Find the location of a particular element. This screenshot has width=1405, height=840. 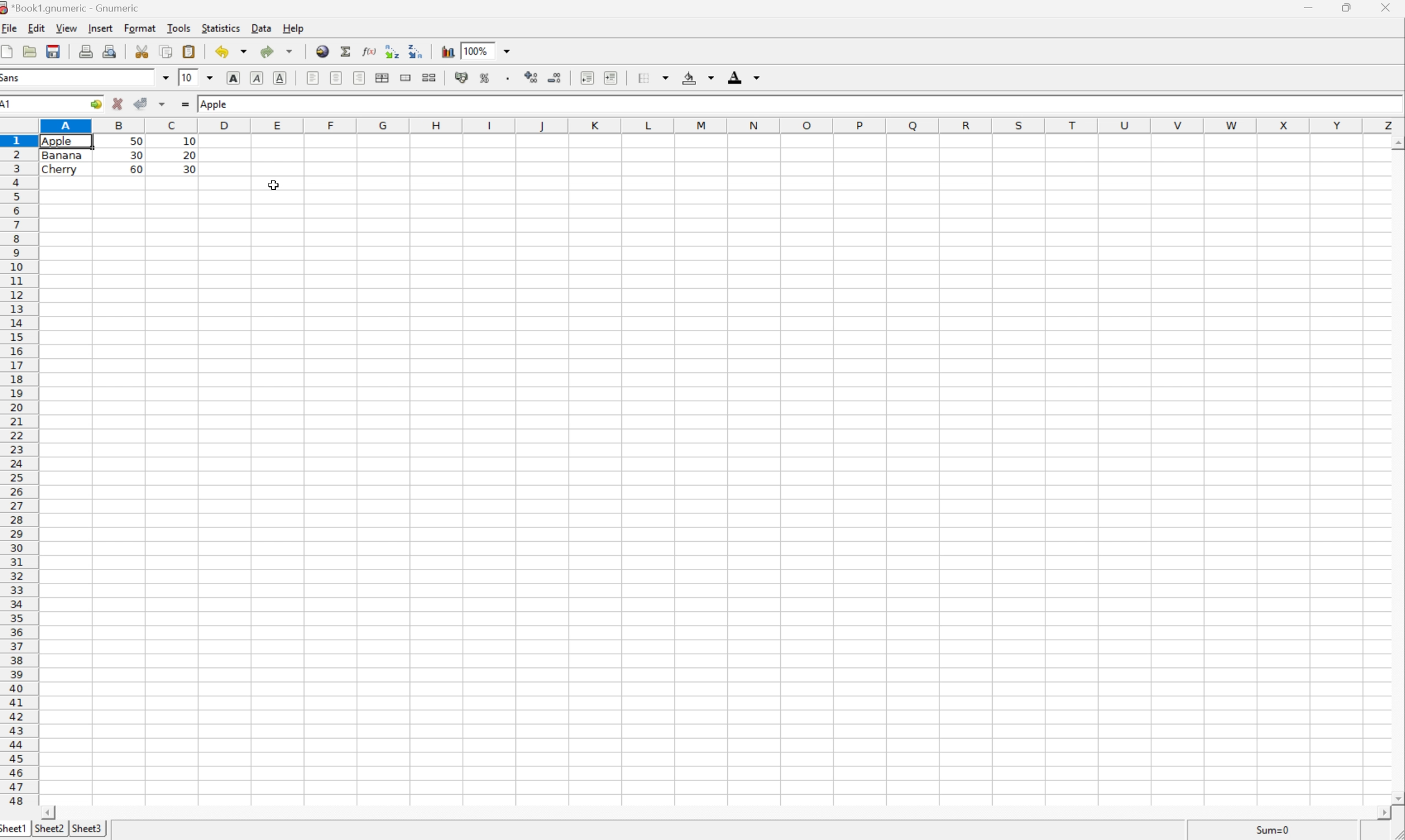

sum=0 is located at coordinates (1272, 829).